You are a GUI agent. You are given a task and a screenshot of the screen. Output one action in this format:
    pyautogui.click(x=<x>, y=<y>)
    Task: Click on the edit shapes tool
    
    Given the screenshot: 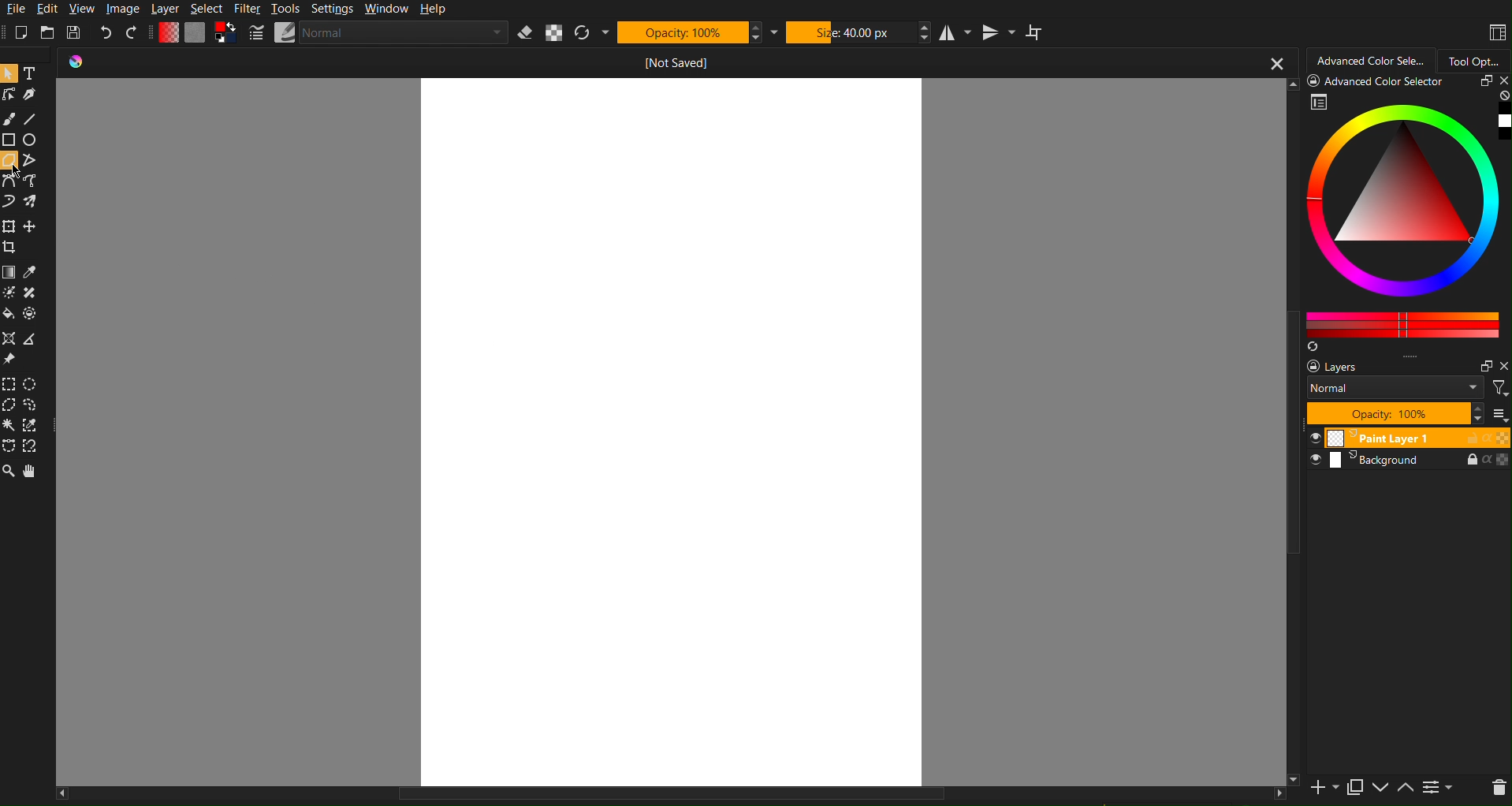 What is the action you would take?
    pyautogui.click(x=11, y=97)
    